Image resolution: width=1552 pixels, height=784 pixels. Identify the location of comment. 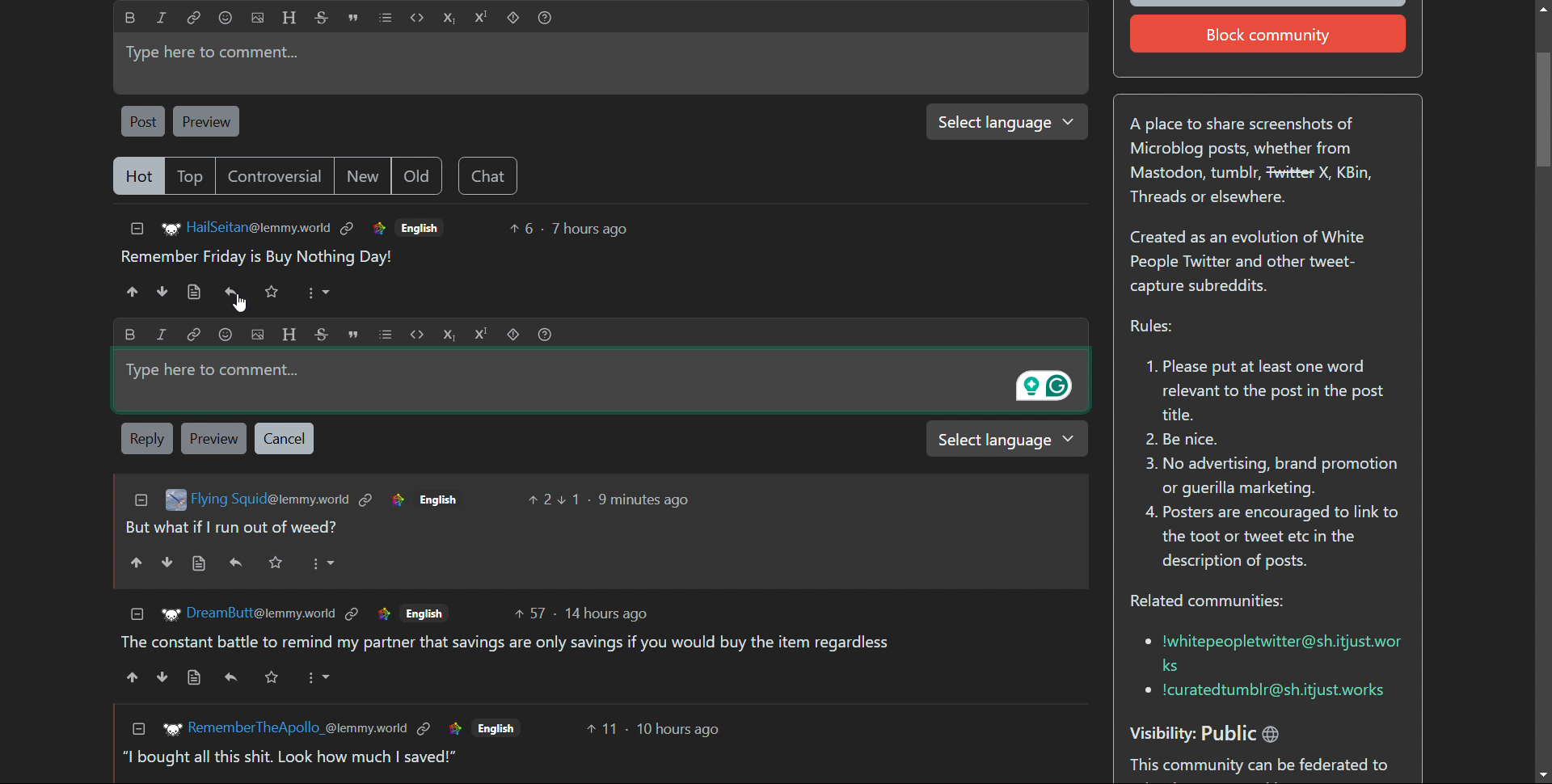
(242, 528).